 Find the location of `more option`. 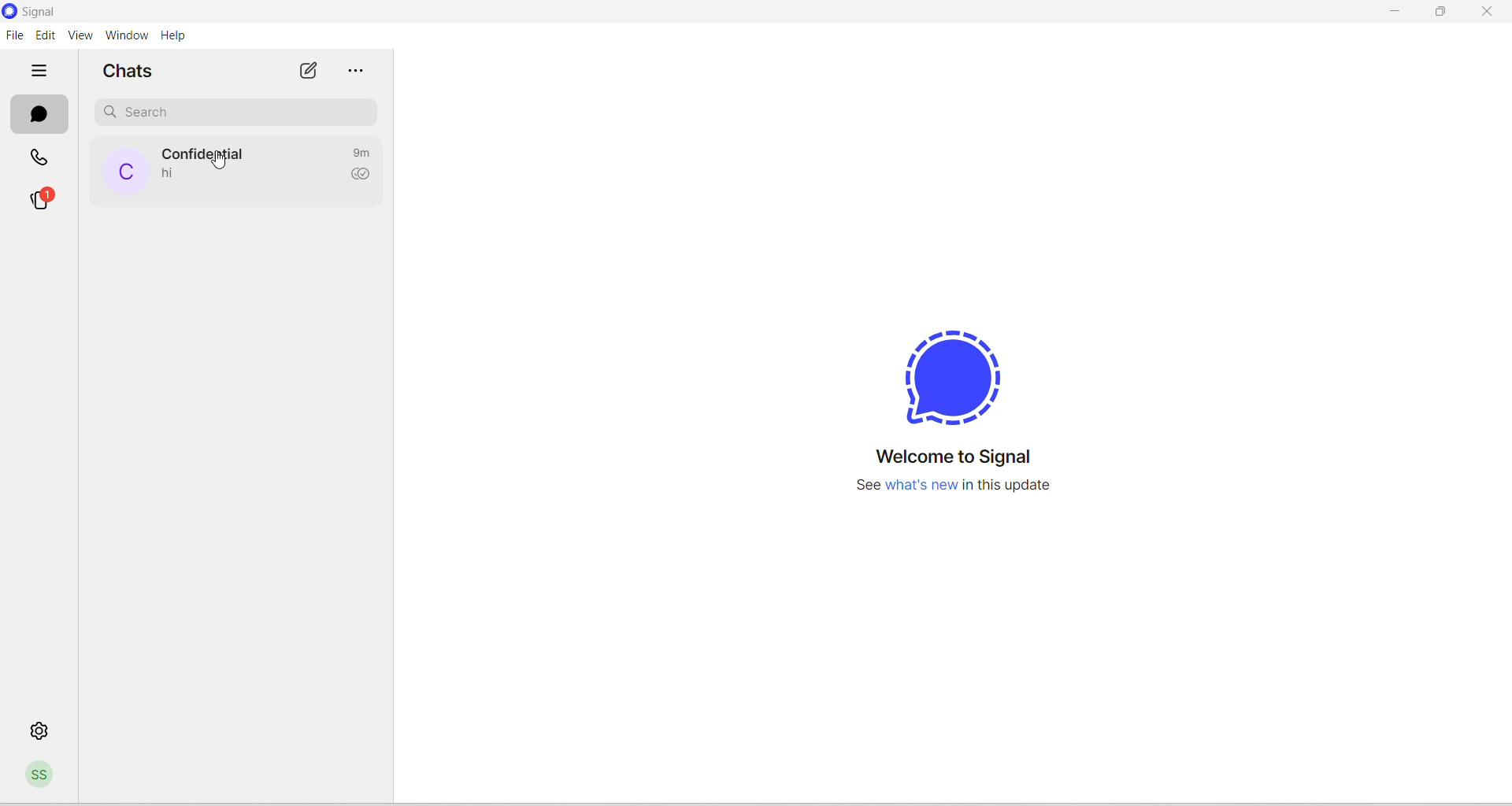

more option is located at coordinates (358, 72).